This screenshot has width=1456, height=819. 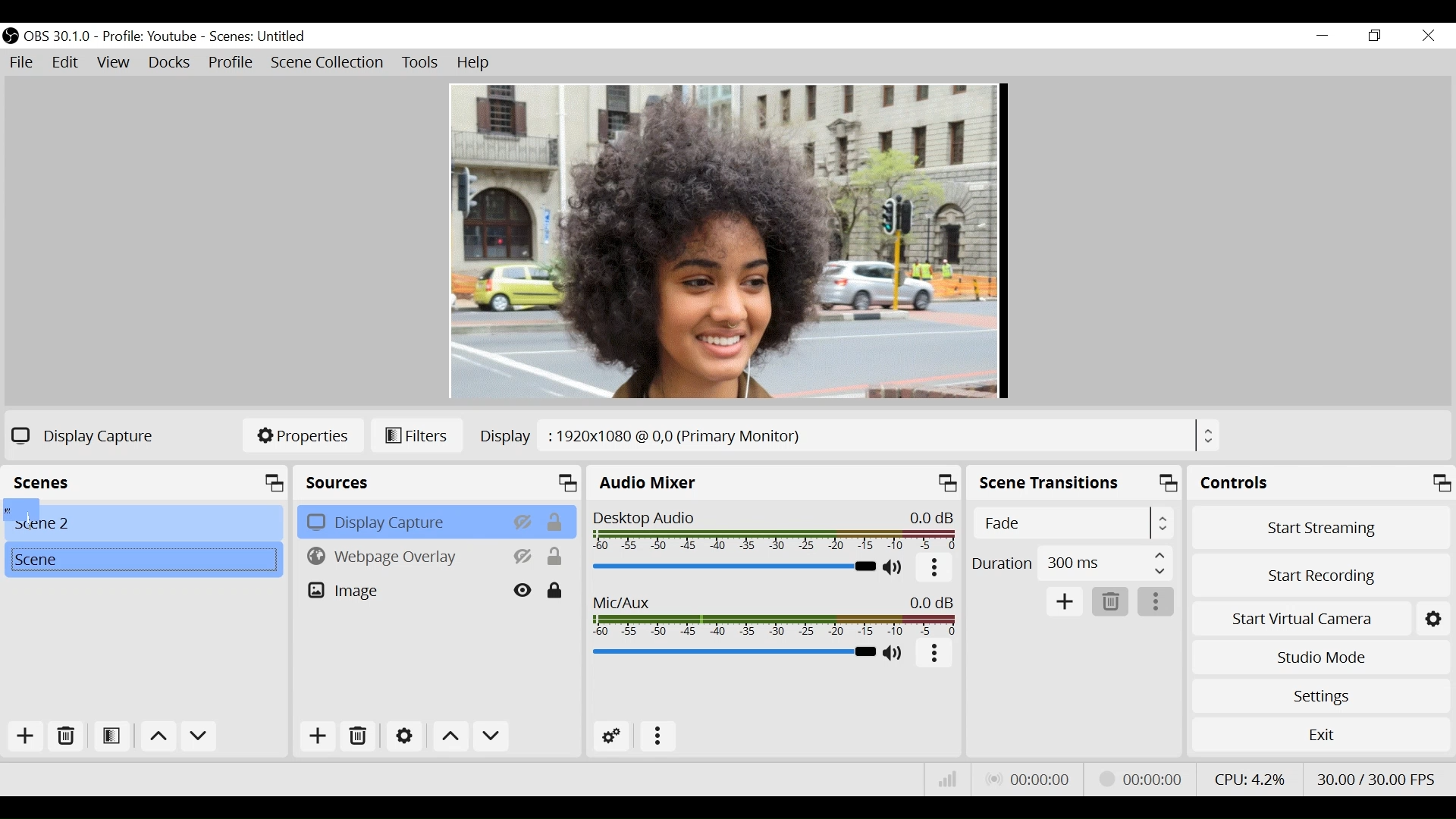 I want to click on Scene Name, so click(x=258, y=37).